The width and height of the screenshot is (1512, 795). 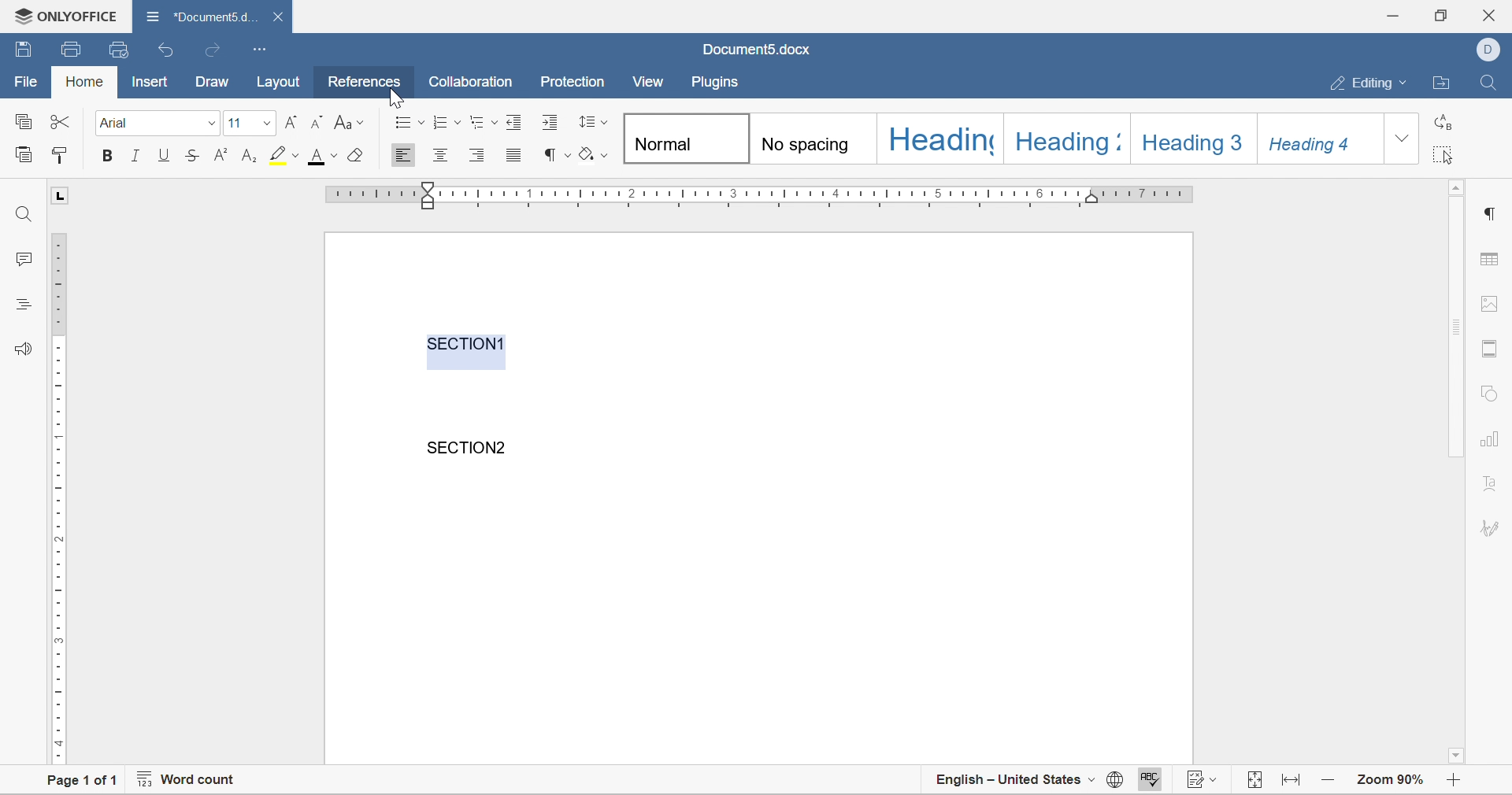 I want to click on dell, so click(x=1492, y=48).